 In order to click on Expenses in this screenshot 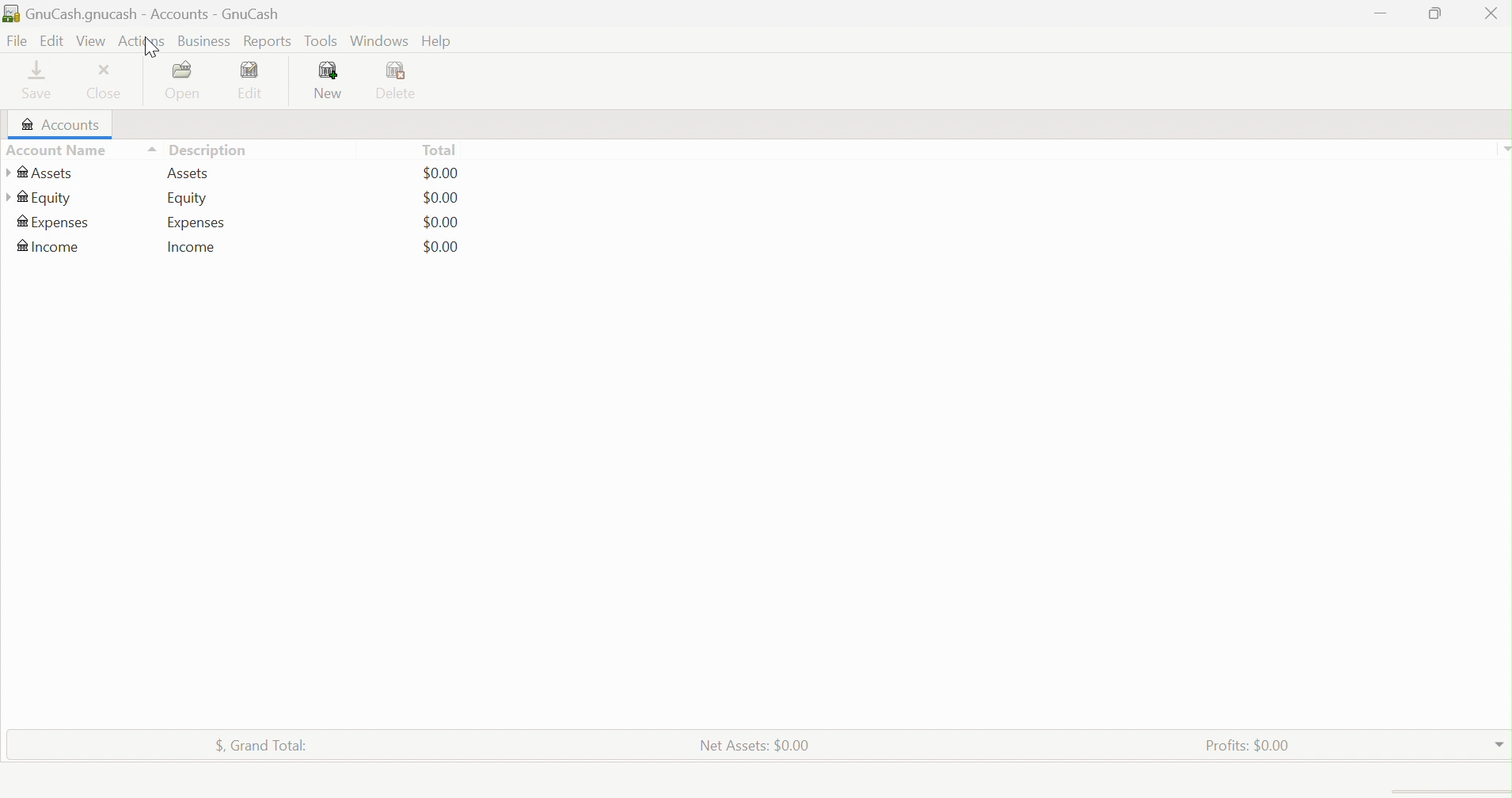, I will do `click(54, 224)`.